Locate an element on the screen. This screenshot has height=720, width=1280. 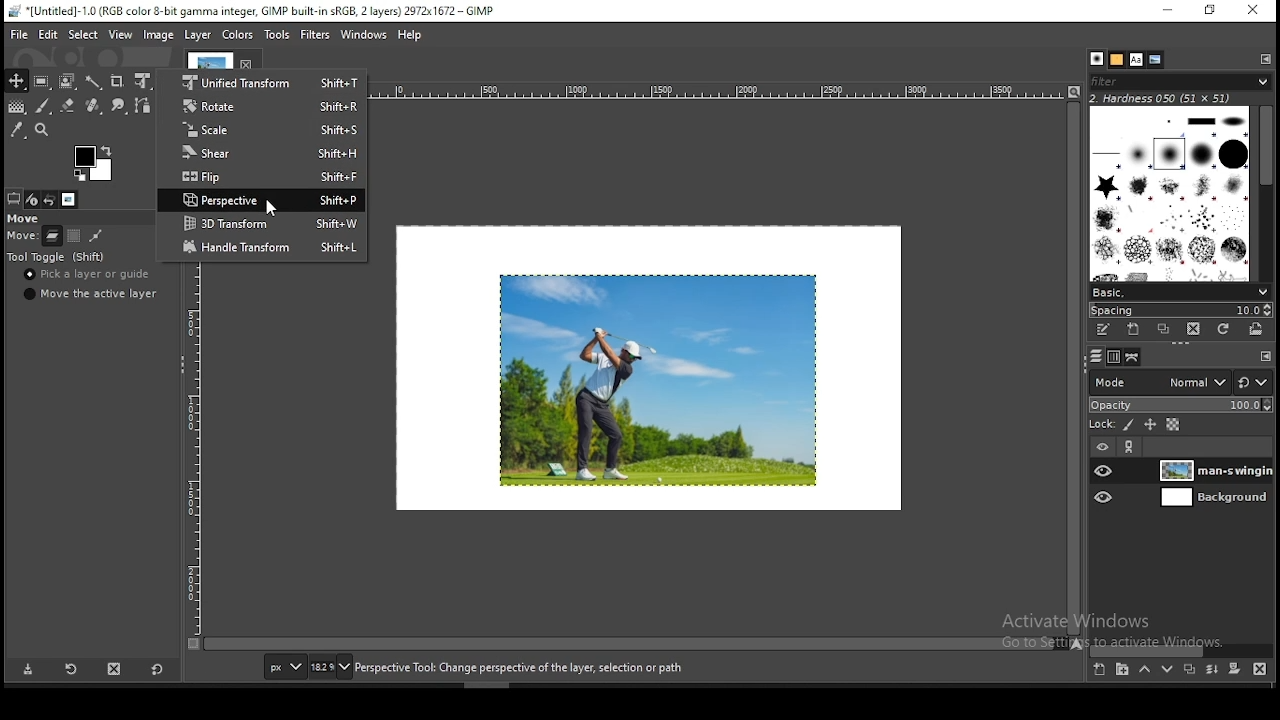
configure this tab is located at coordinates (172, 199).